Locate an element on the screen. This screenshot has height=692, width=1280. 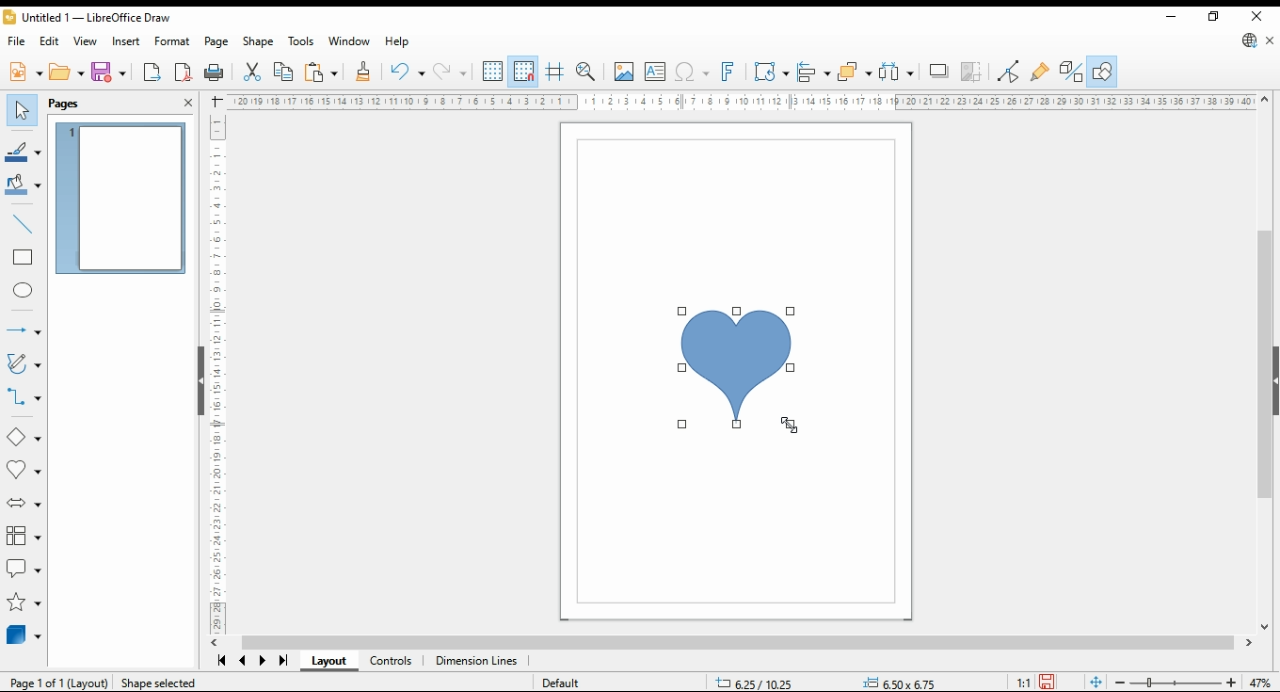
callout shapes is located at coordinates (24, 564).